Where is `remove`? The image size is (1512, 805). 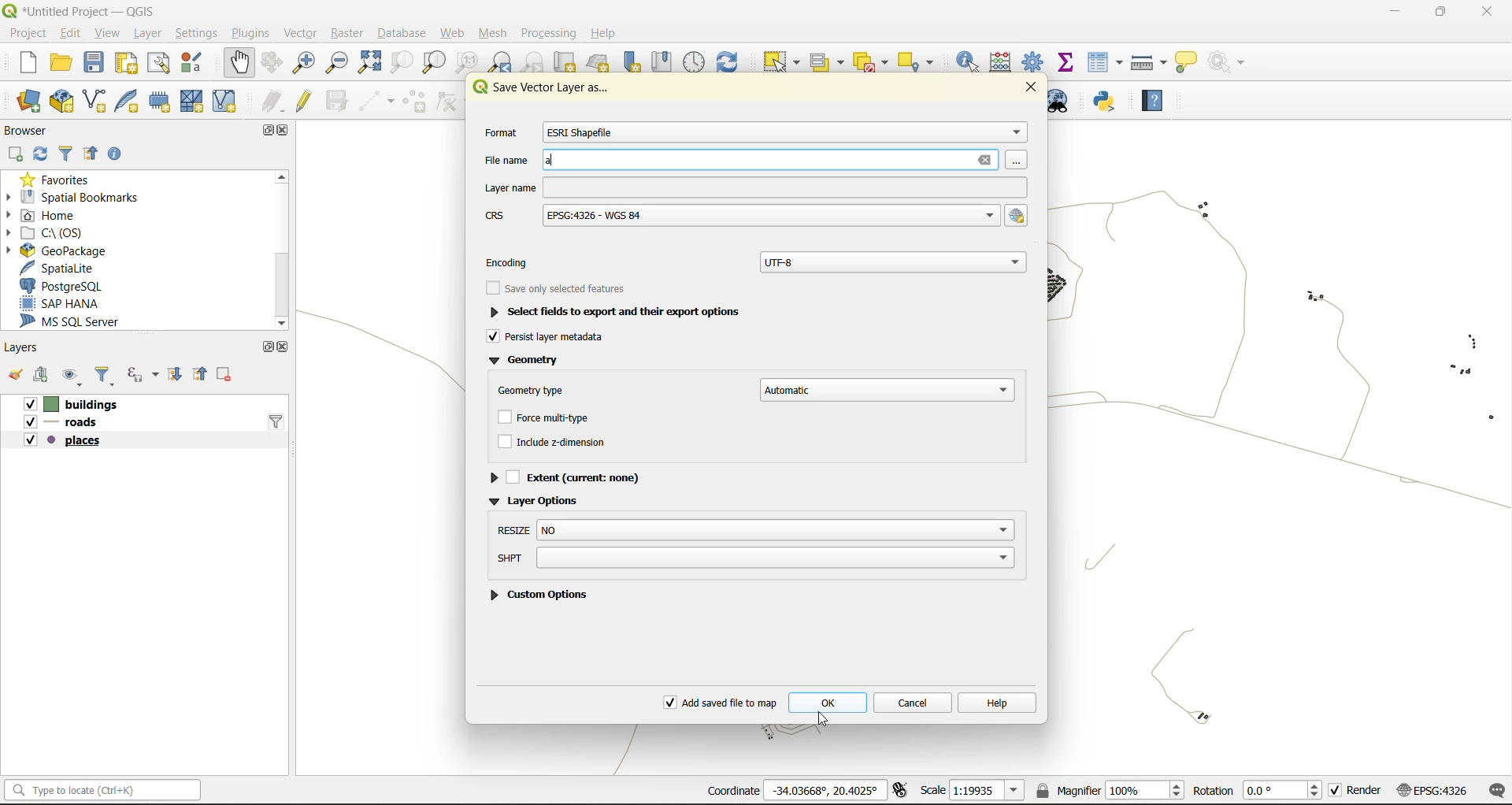
remove is located at coordinates (227, 376).